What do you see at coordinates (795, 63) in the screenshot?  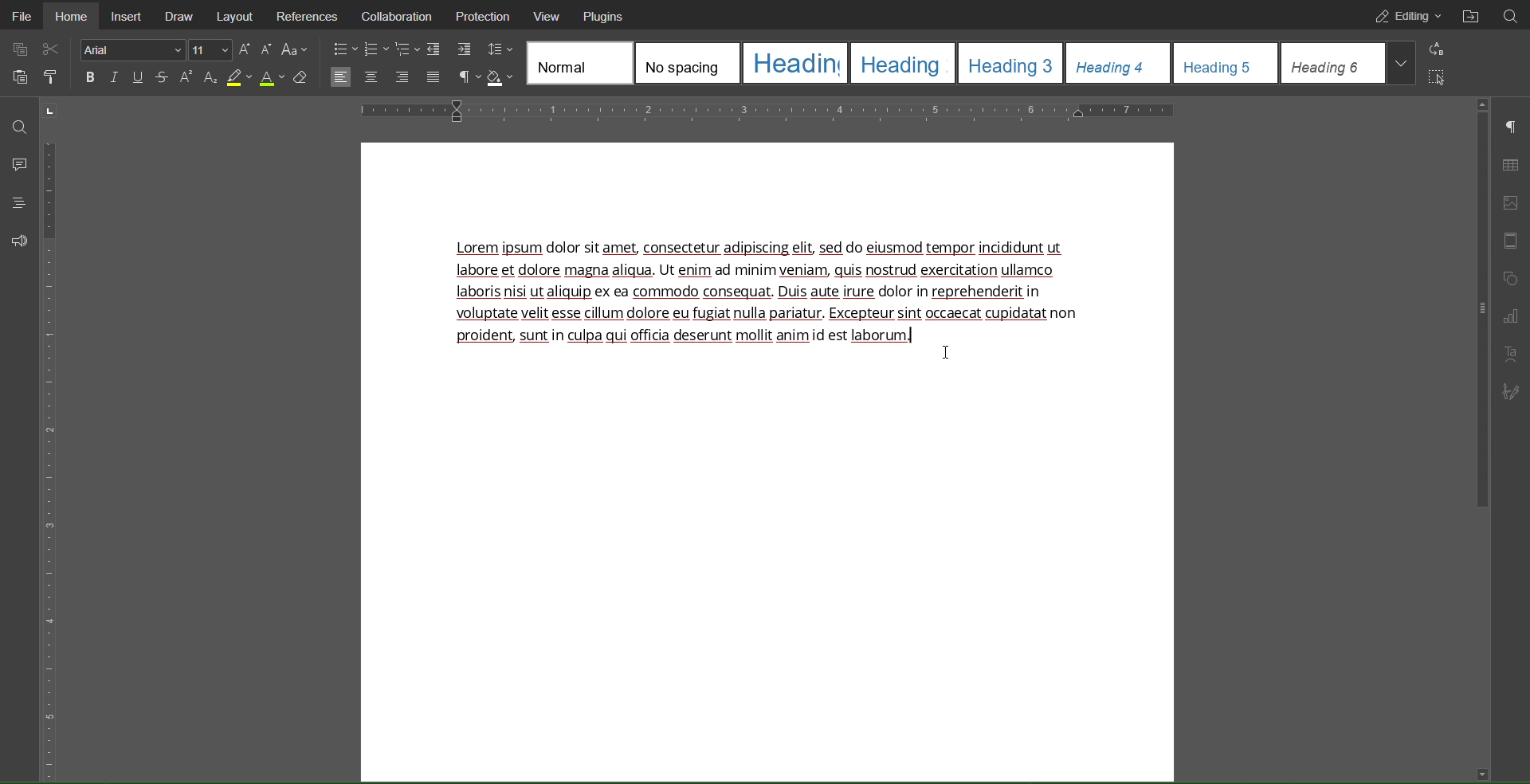 I see `heading` at bounding box center [795, 63].